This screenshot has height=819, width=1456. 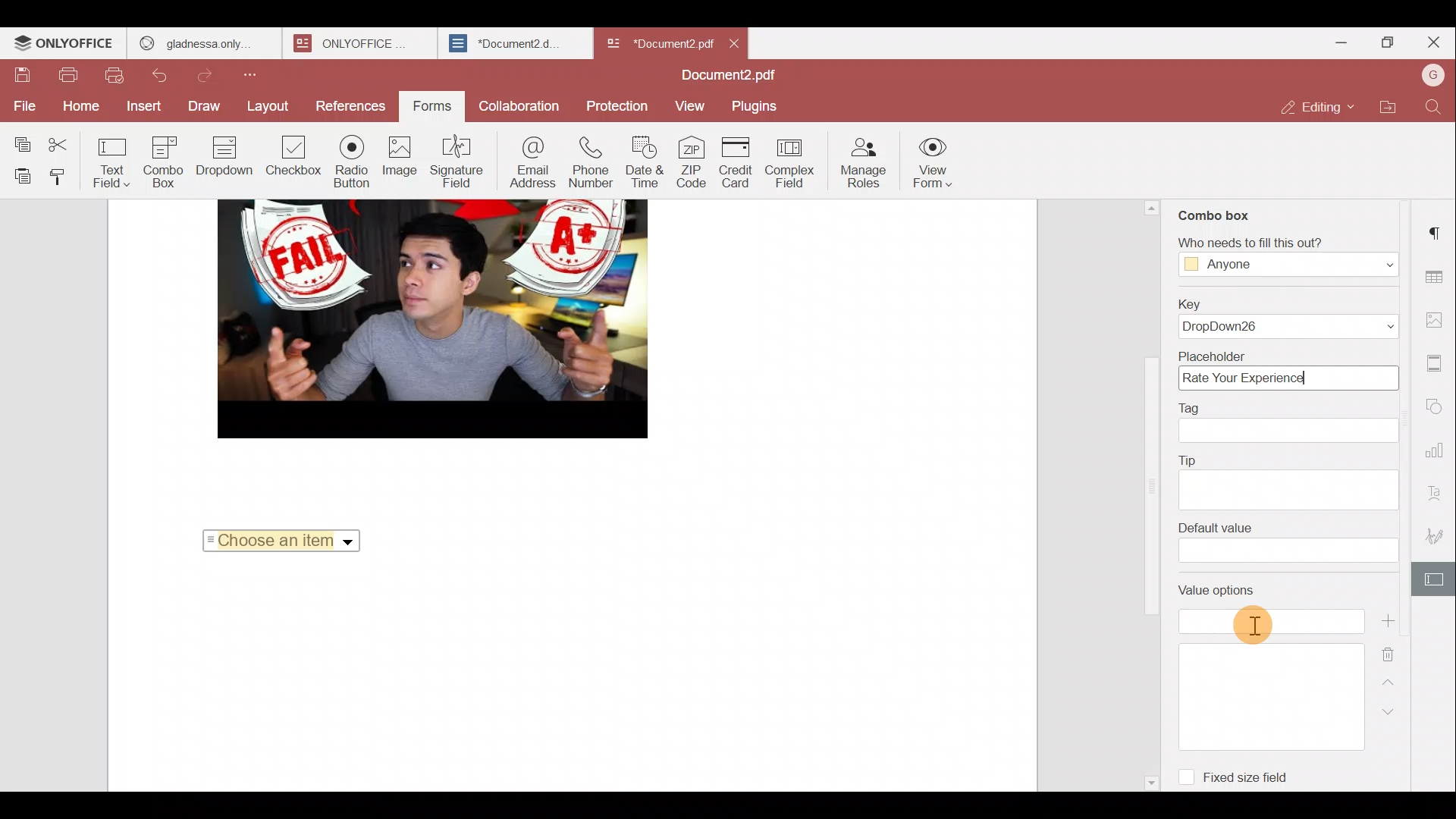 I want to click on Header & footer settings, so click(x=1436, y=364).